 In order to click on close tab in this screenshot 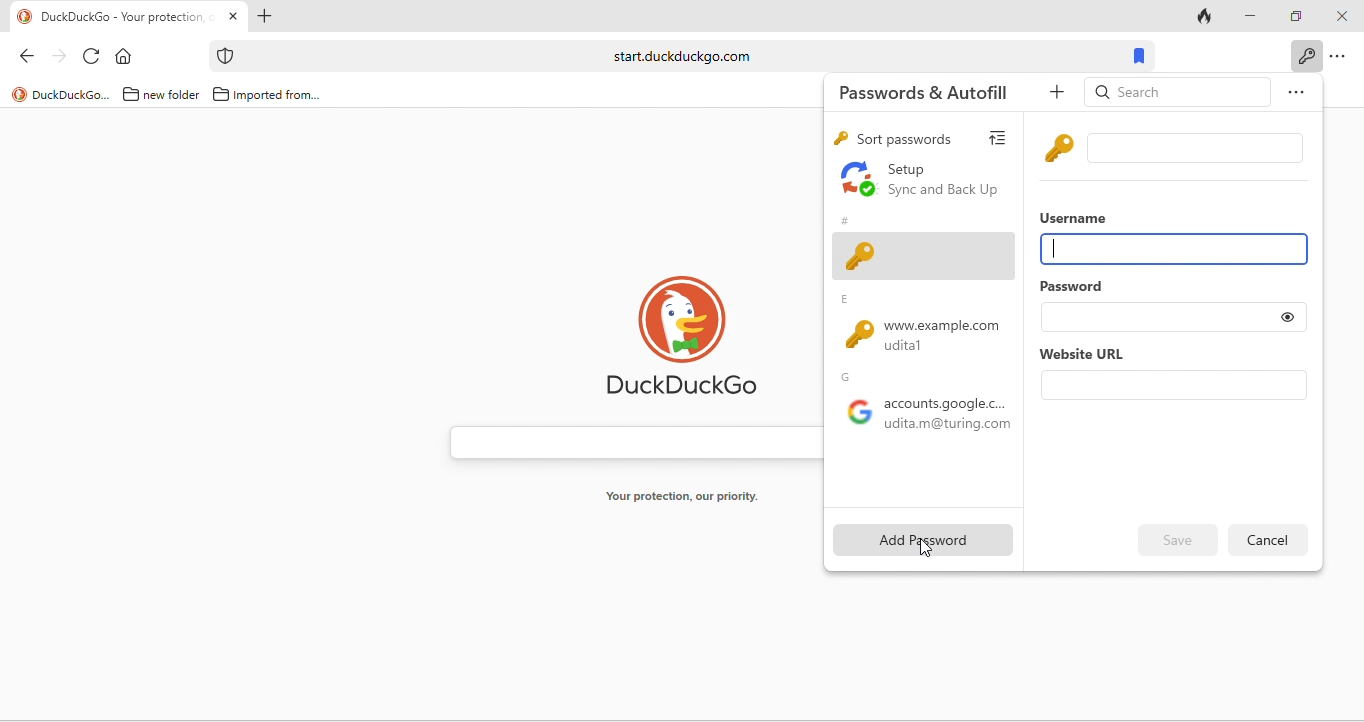, I will do `click(233, 17)`.